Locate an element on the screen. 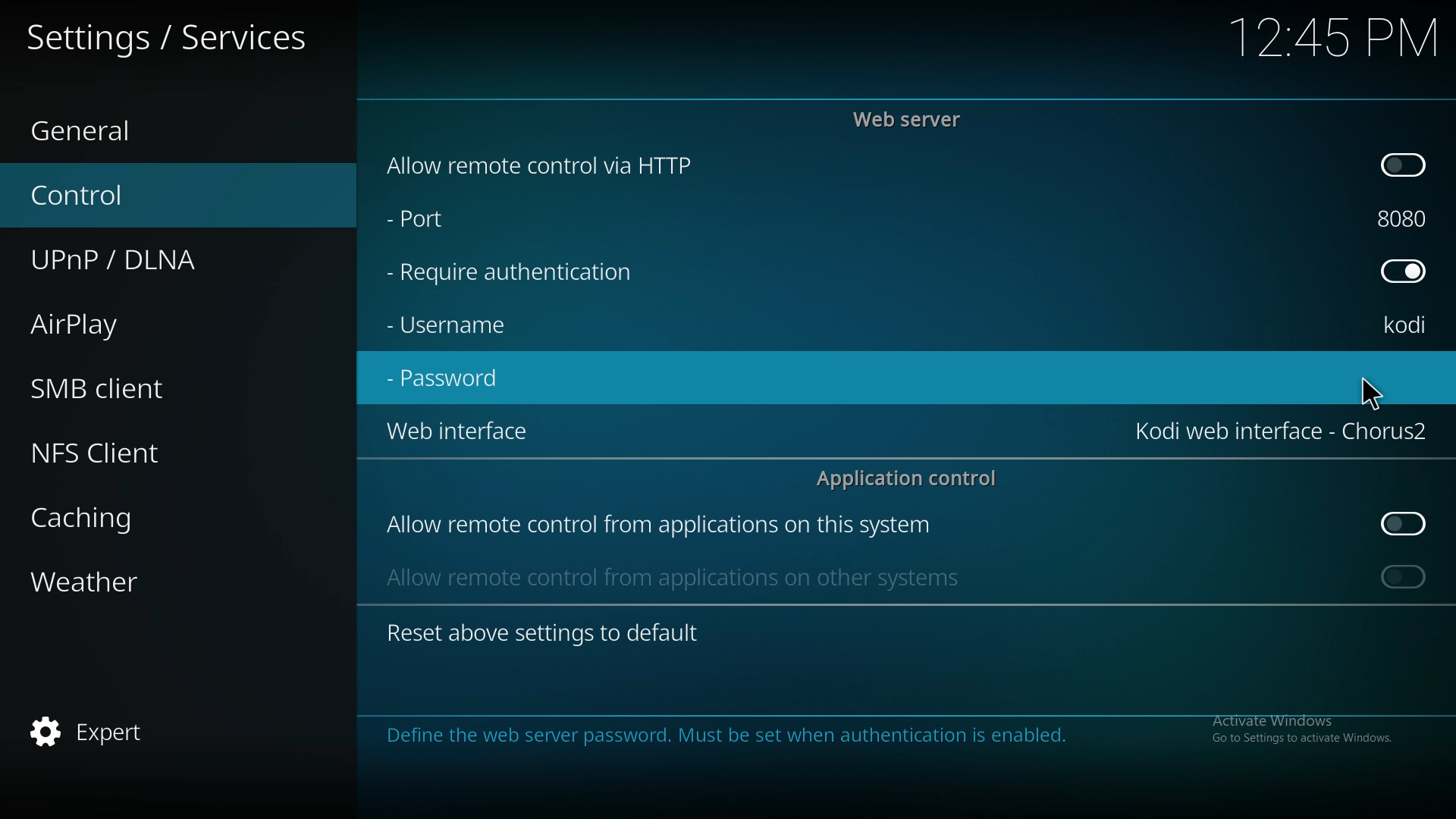  general is located at coordinates (129, 127).